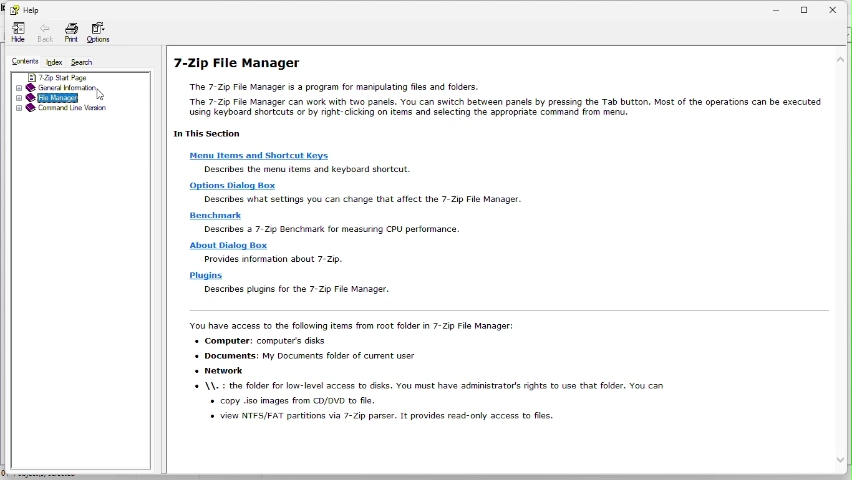  Describe the element at coordinates (224, 245) in the screenshot. I see `About dialogue box` at that location.